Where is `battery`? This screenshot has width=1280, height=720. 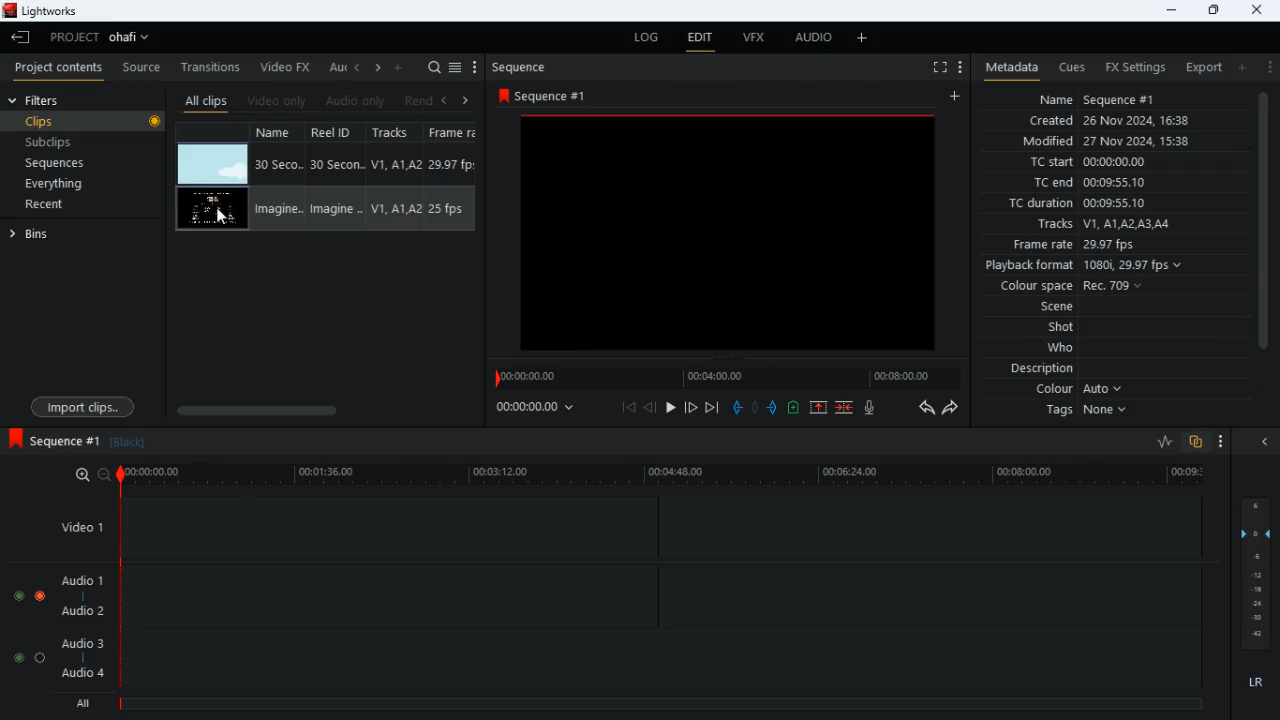
battery is located at coordinates (795, 409).